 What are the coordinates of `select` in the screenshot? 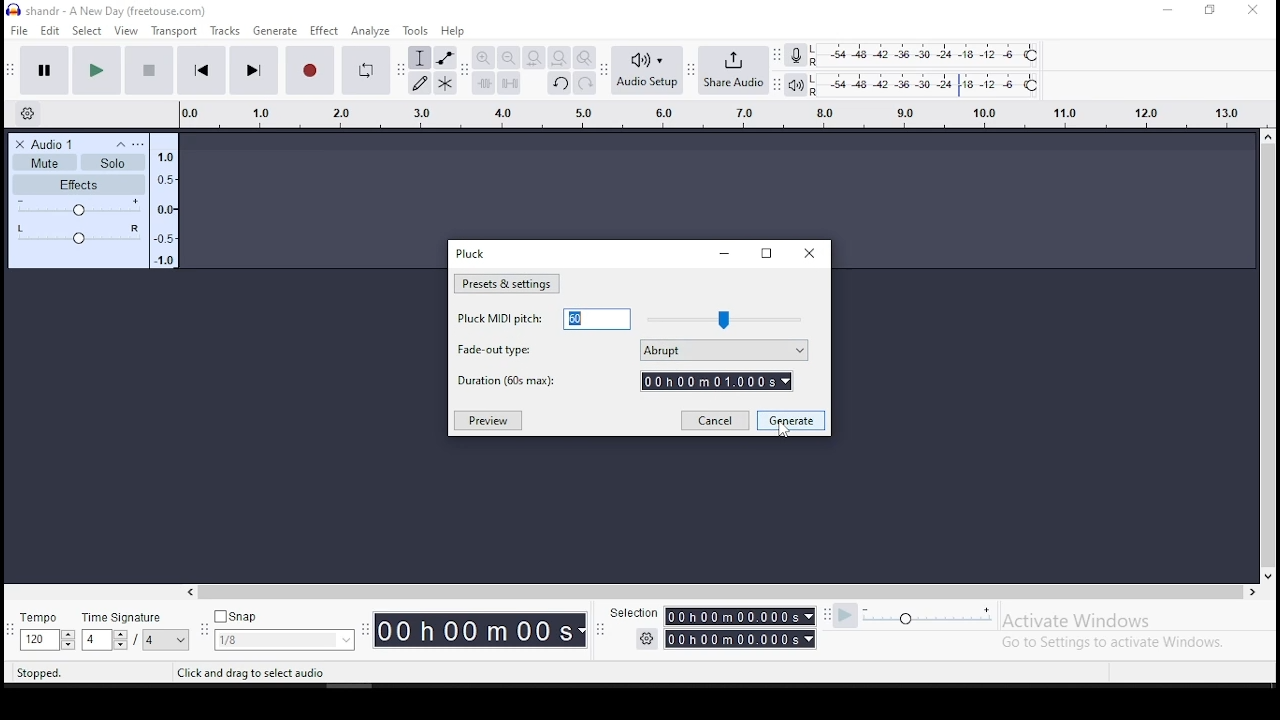 It's located at (89, 32).